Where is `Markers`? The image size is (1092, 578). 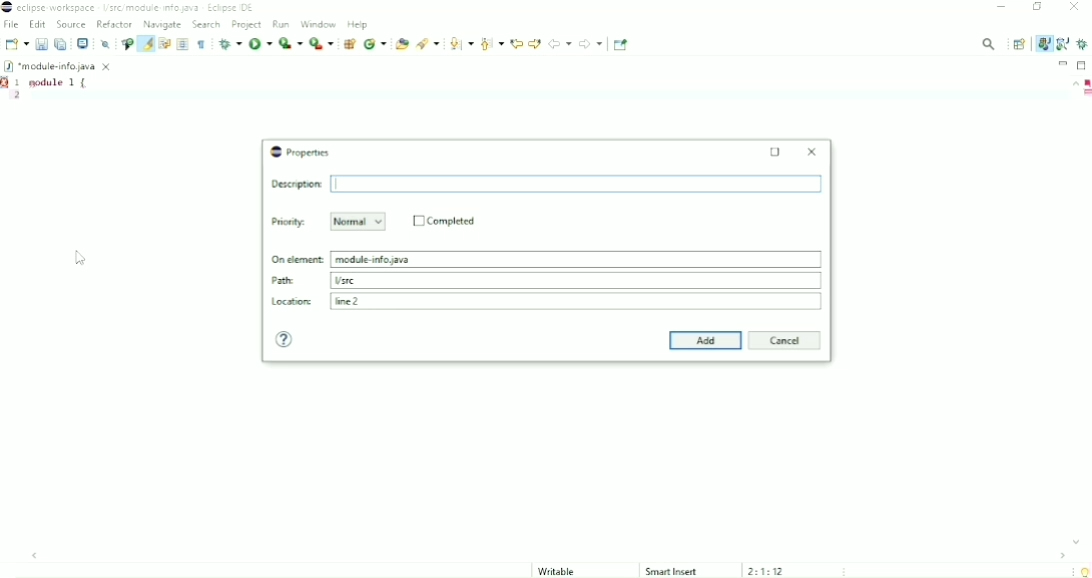
Markers is located at coordinates (7, 82).